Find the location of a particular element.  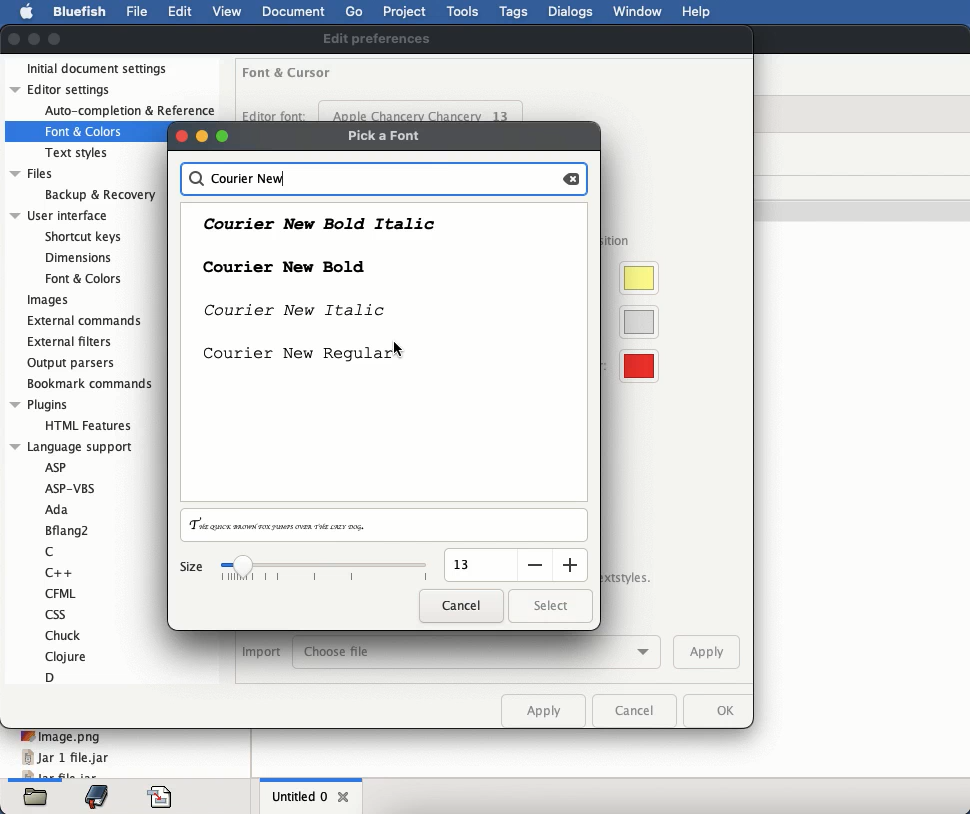

apple chancery chancery  is located at coordinates (424, 112).